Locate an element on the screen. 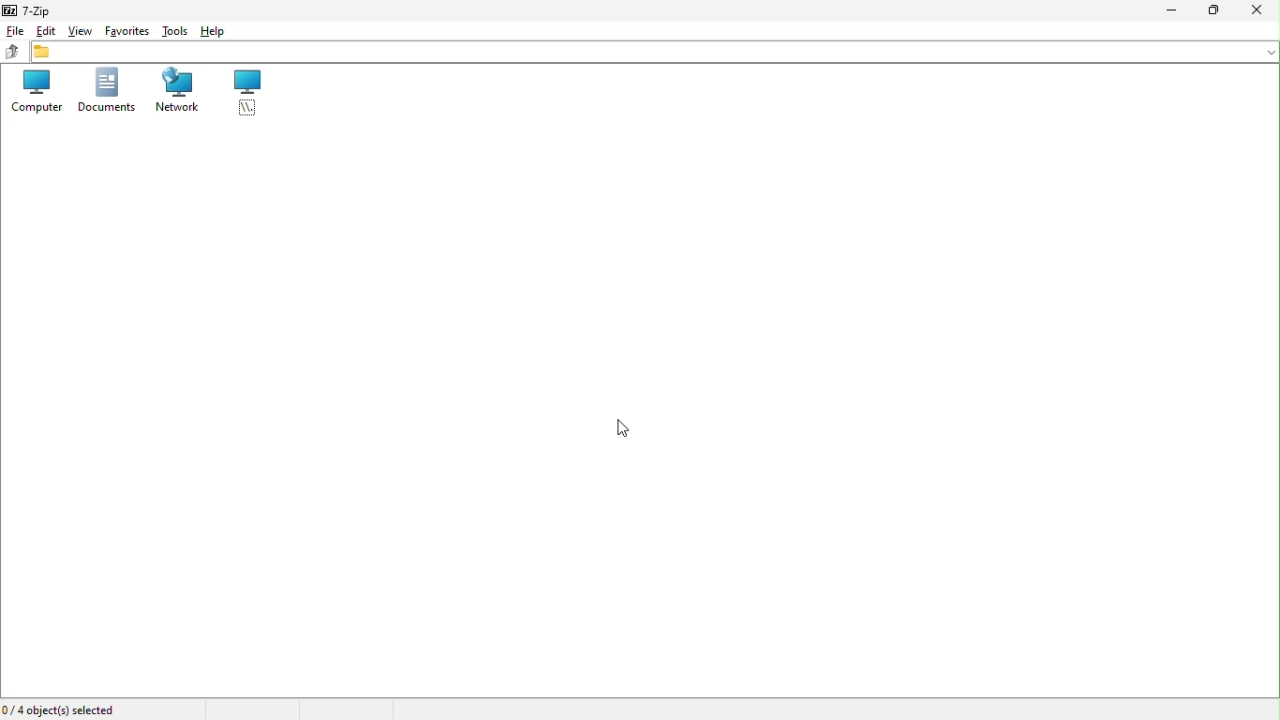 The image size is (1280, 720). Network is located at coordinates (175, 89).